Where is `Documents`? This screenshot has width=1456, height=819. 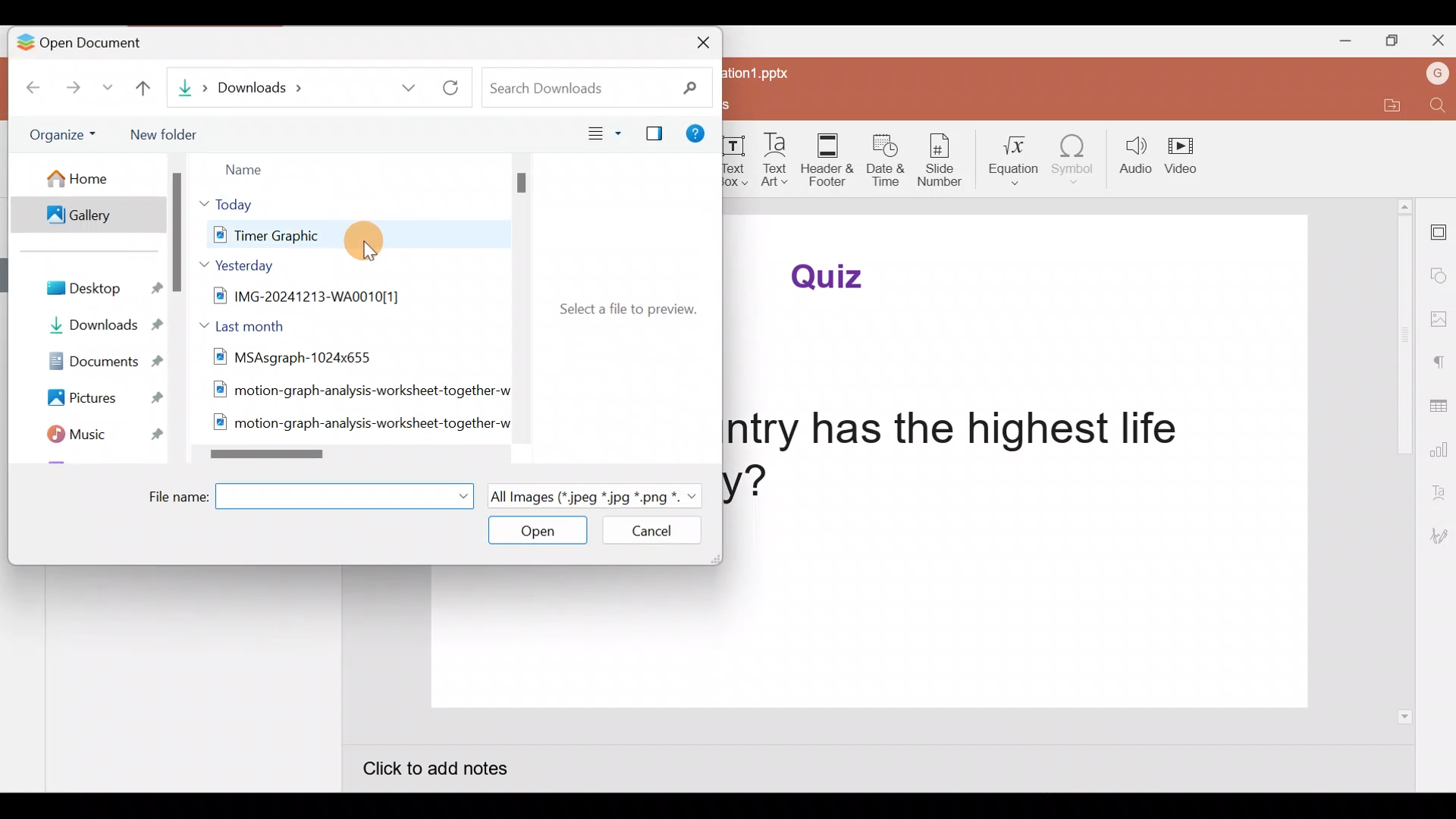
Documents is located at coordinates (94, 359).